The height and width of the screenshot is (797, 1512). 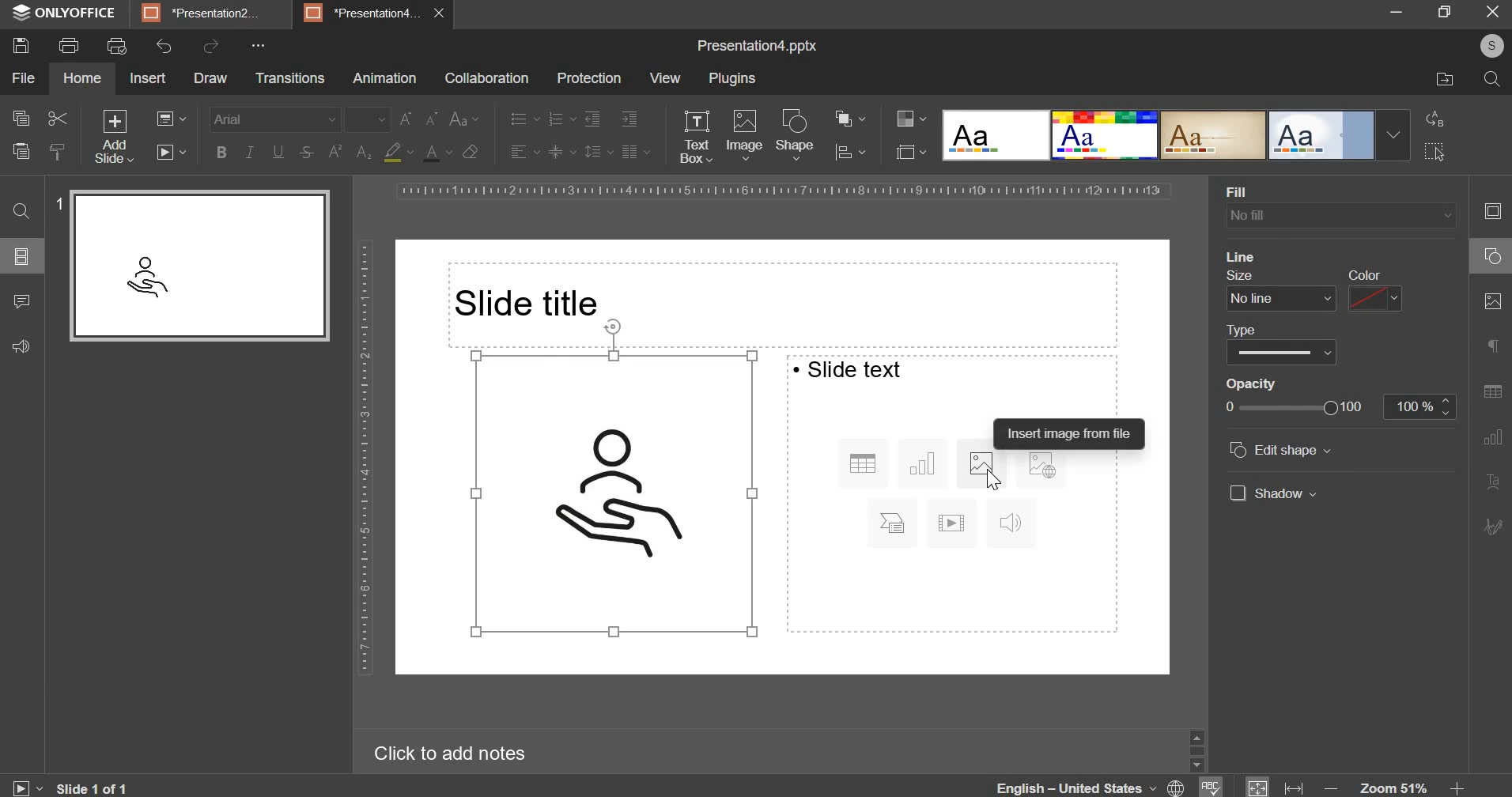 I want to click on print preview, so click(x=116, y=46).